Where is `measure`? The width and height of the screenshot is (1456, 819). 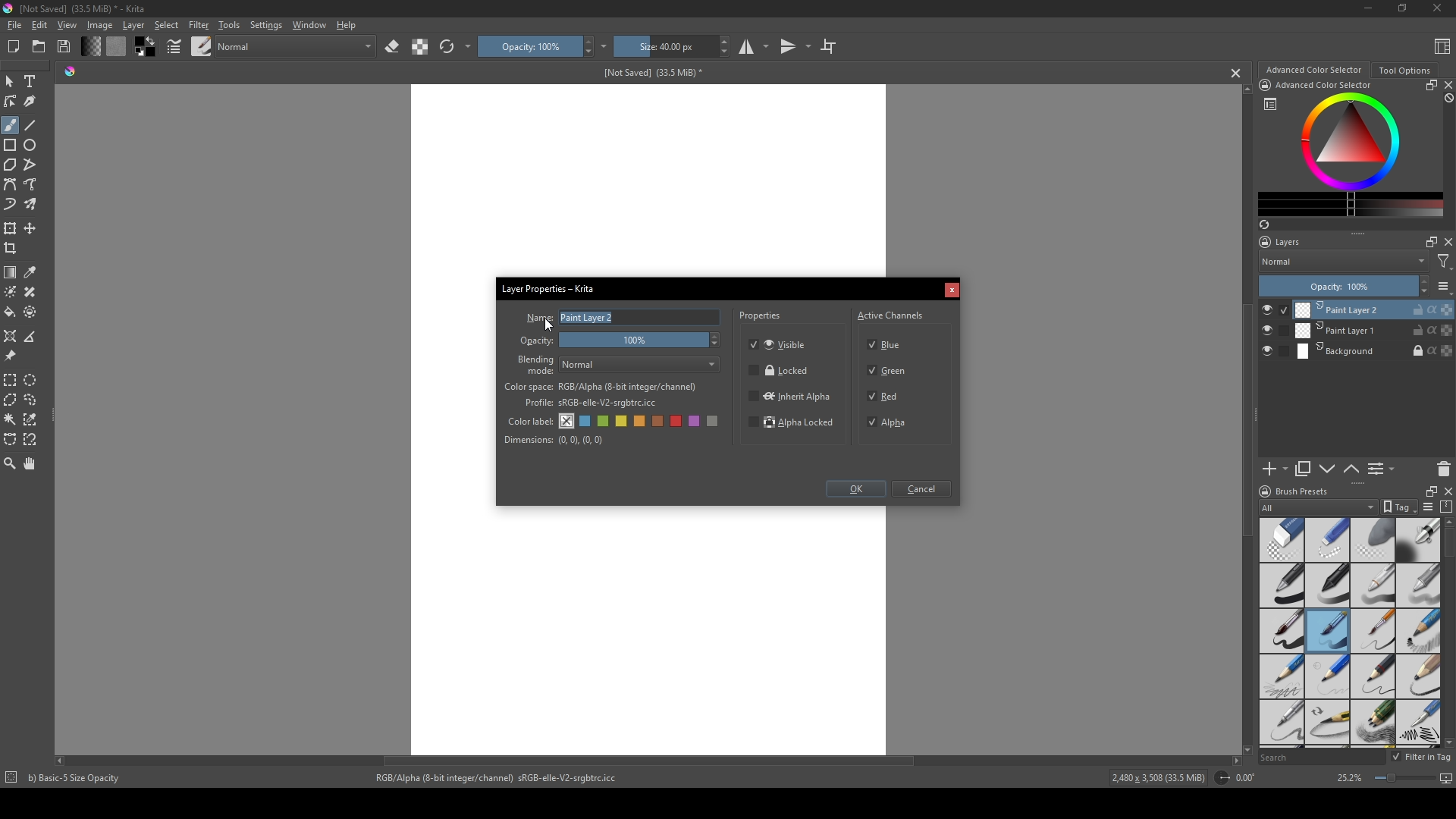 measure is located at coordinates (33, 337).